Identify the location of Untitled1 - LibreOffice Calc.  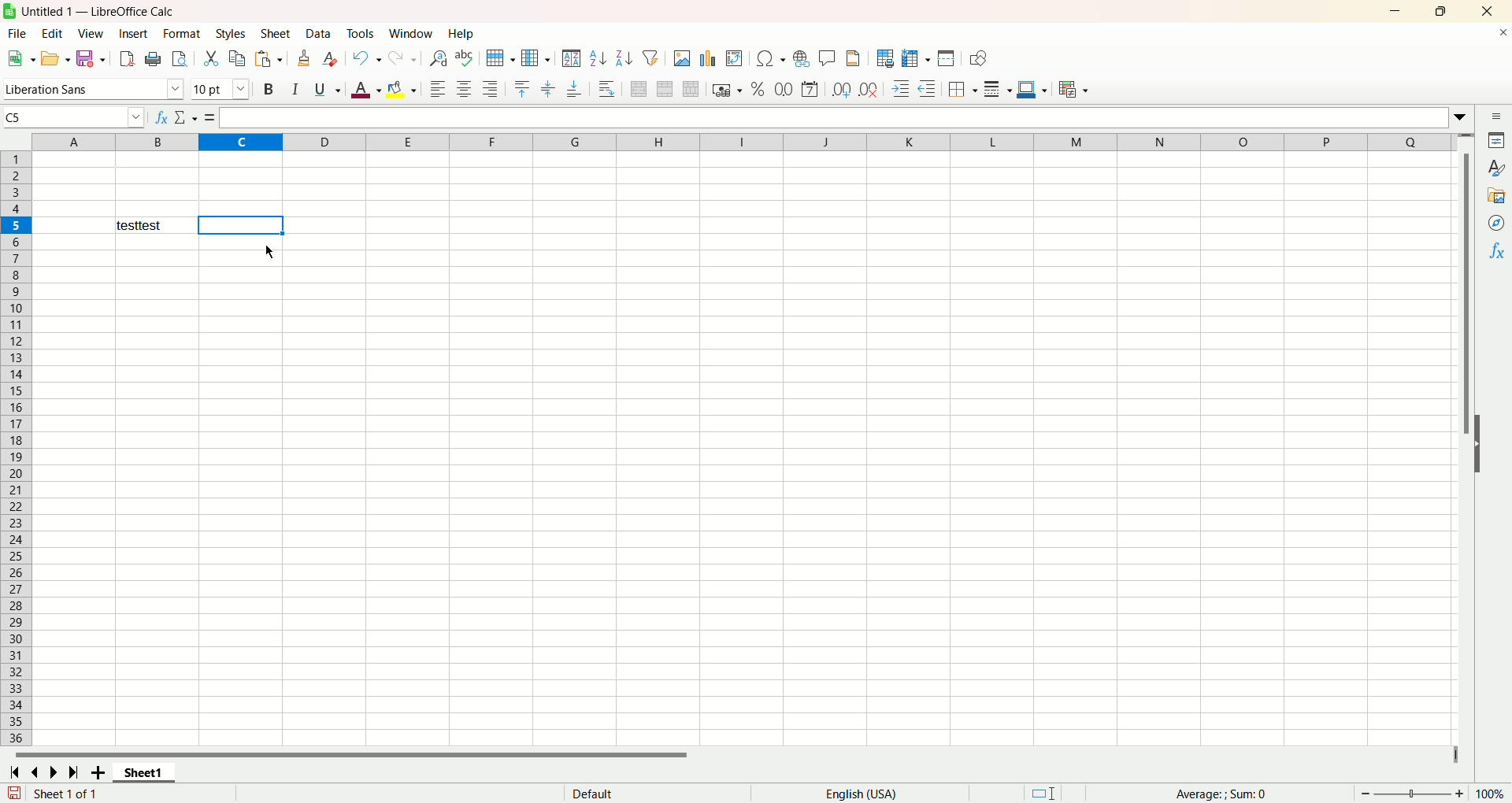
(96, 11).